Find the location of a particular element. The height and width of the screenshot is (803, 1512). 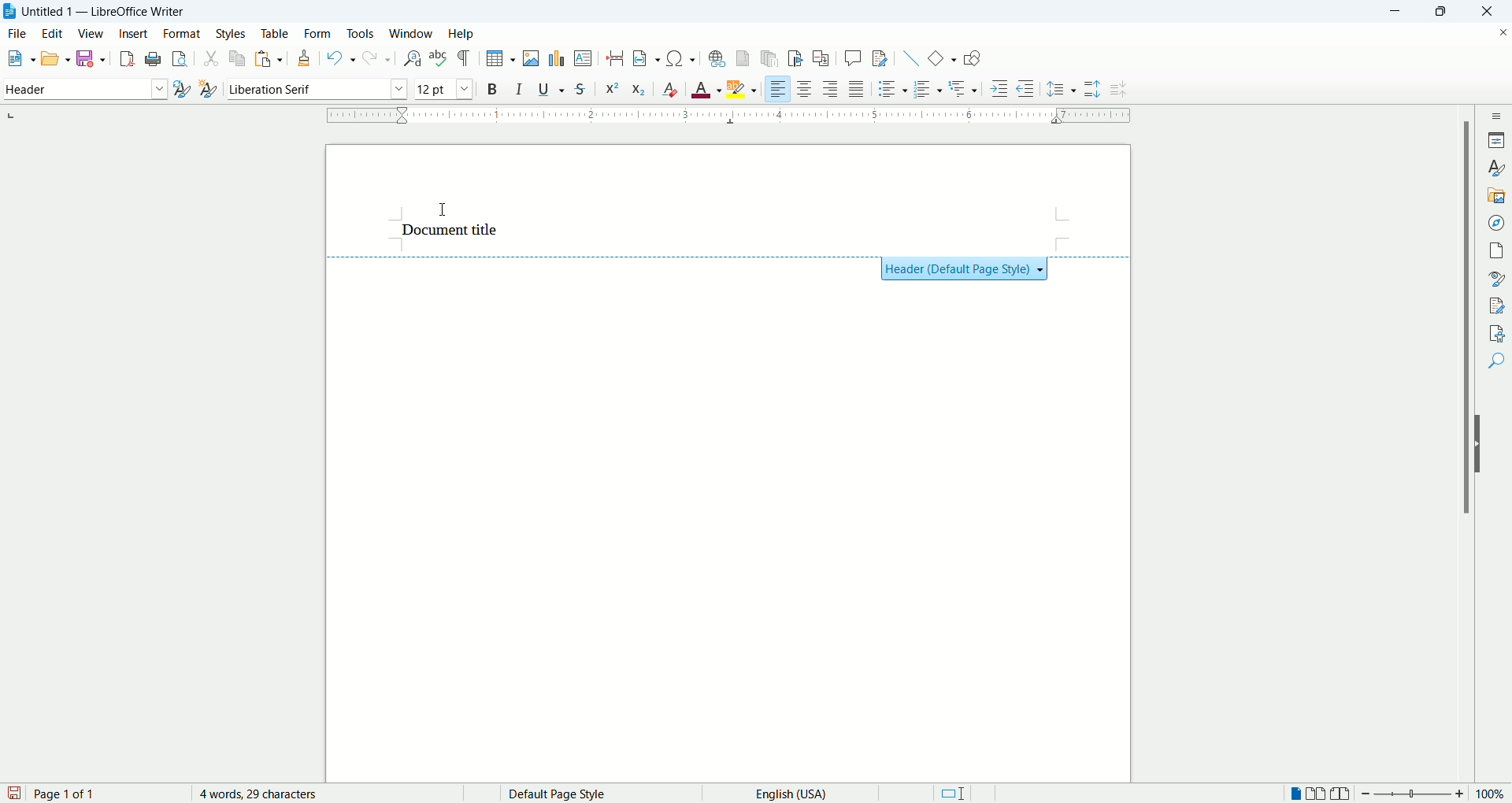

cursor is located at coordinates (443, 206).